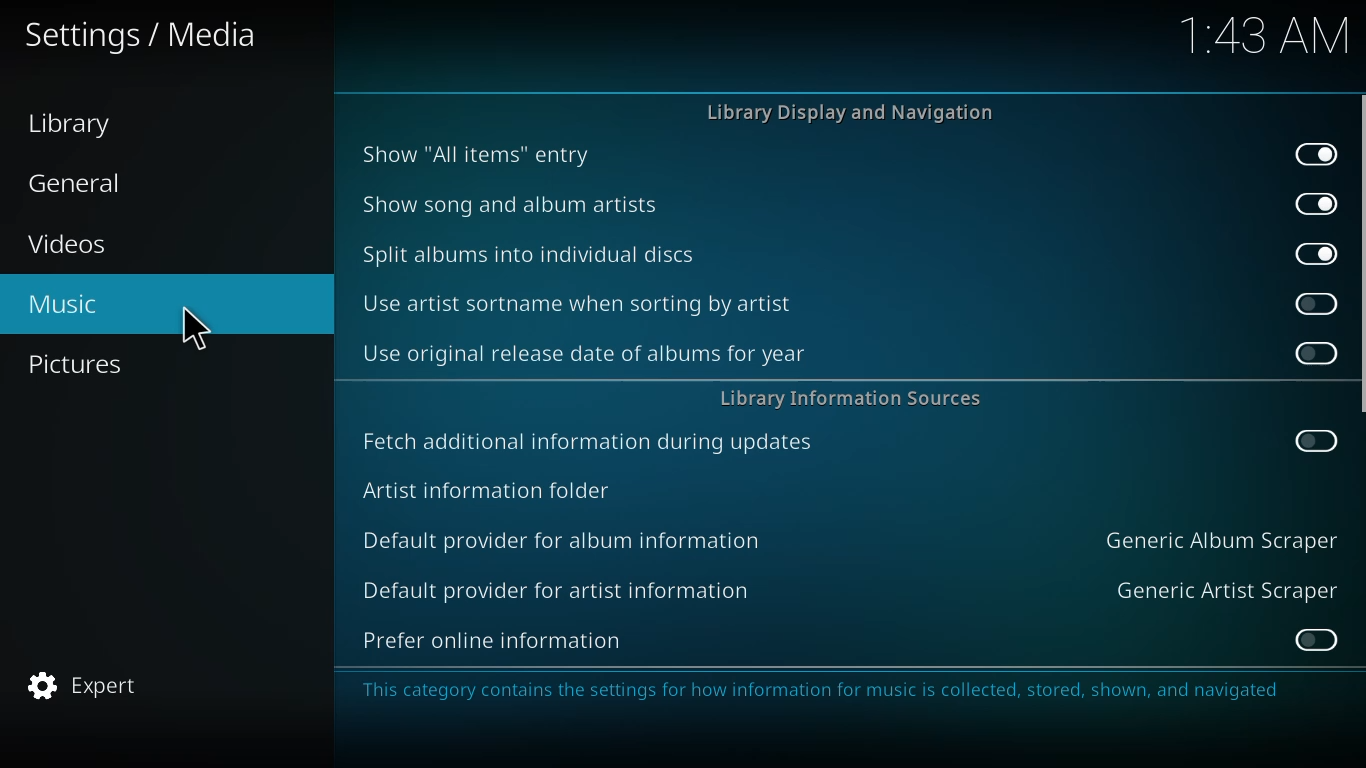 The image size is (1366, 768). I want to click on library, so click(69, 125).